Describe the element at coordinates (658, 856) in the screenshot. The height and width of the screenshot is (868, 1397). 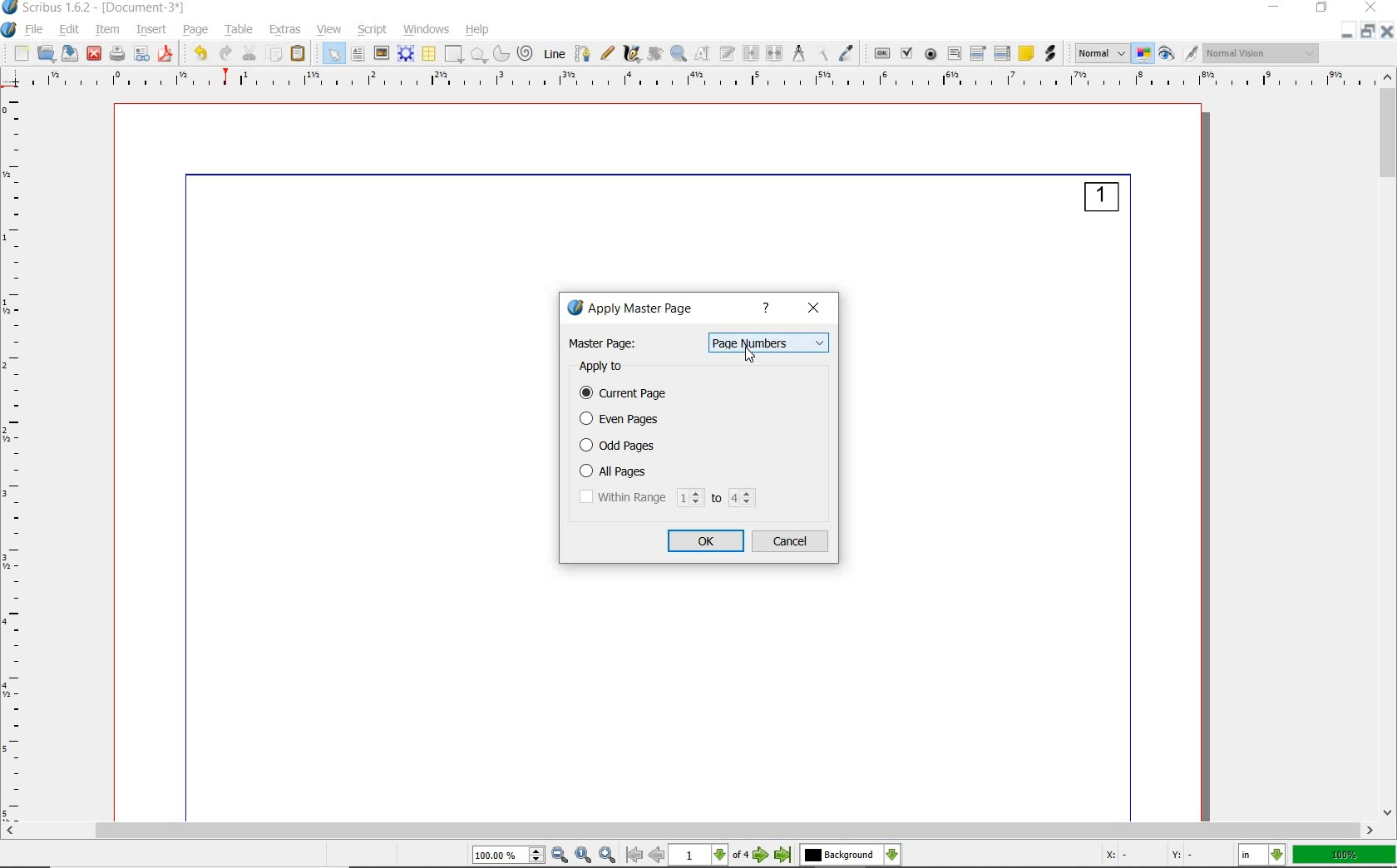
I see `go to previous page` at that location.